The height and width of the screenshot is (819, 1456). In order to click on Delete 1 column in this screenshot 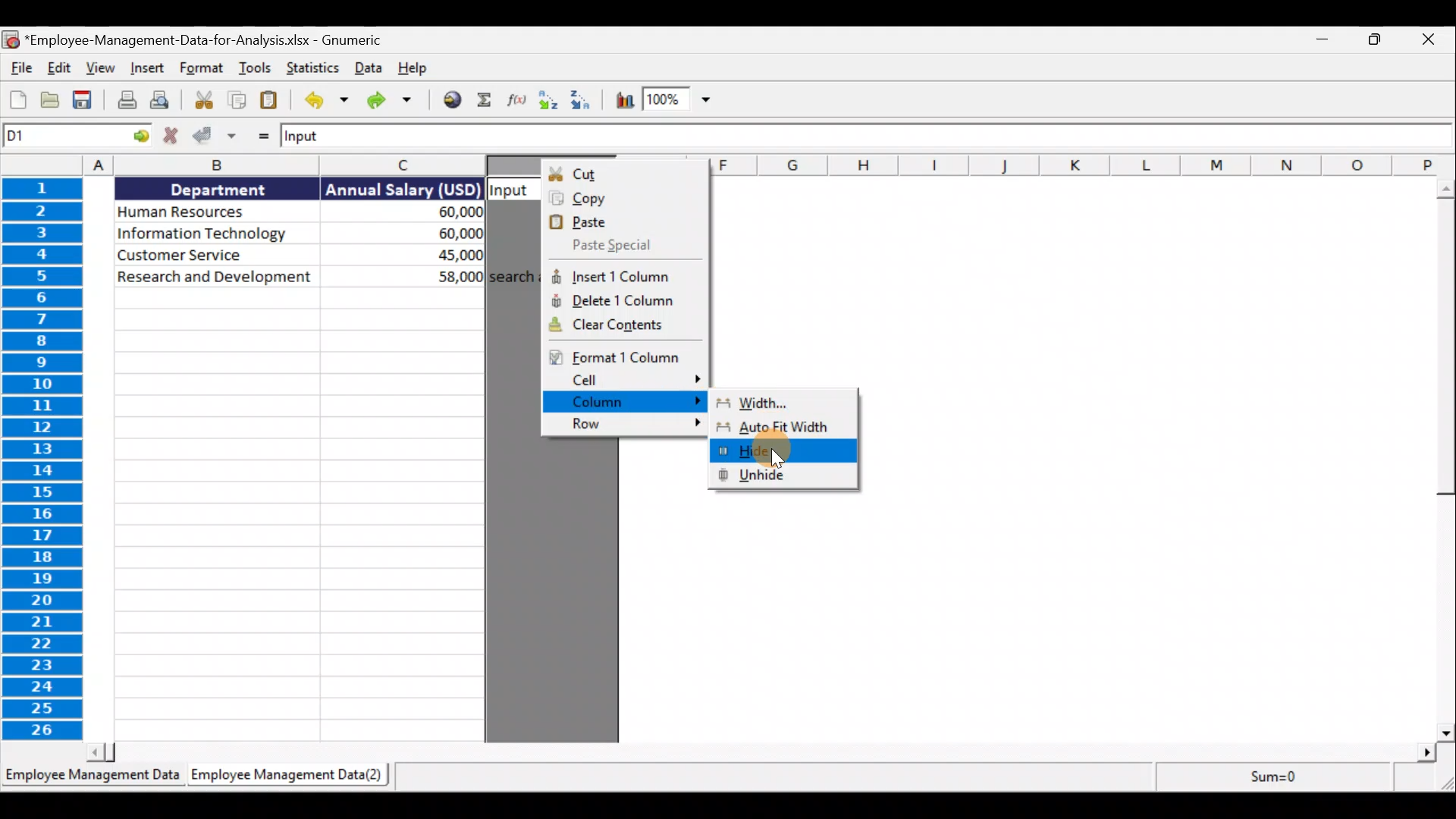, I will do `click(623, 304)`.